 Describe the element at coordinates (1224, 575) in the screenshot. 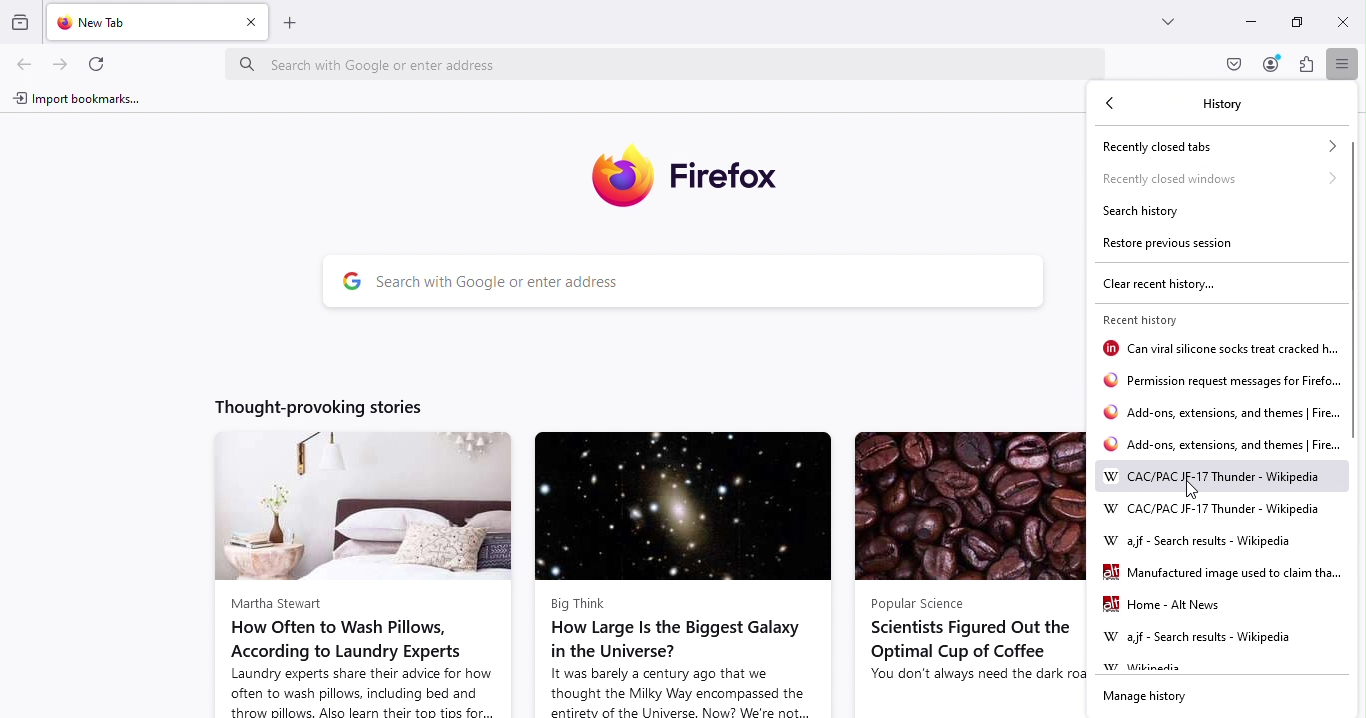

I see `webpage link` at that location.